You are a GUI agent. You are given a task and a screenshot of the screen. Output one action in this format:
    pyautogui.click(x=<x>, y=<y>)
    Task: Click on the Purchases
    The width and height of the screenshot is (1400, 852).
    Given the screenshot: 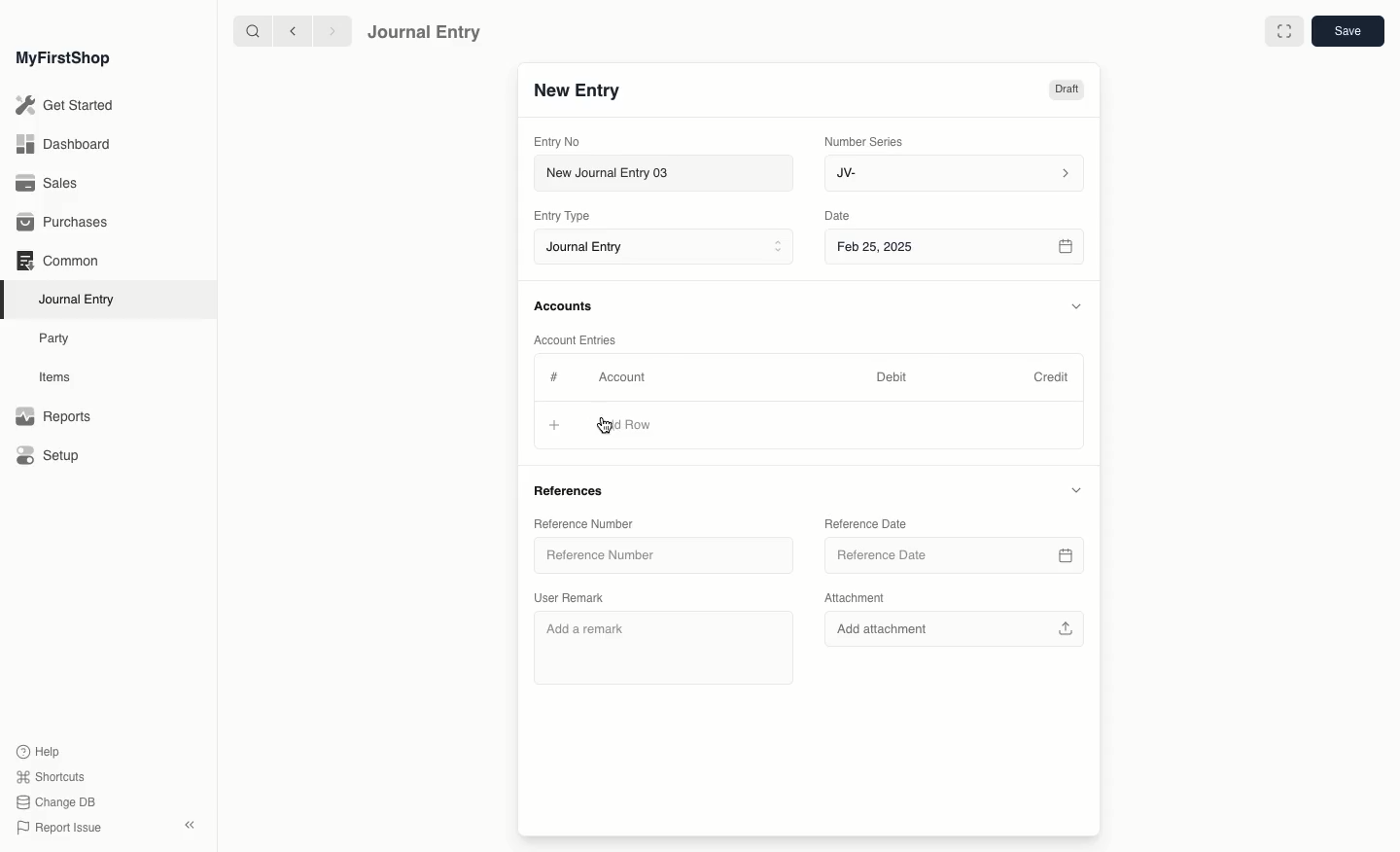 What is the action you would take?
    pyautogui.click(x=67, y=223)
    